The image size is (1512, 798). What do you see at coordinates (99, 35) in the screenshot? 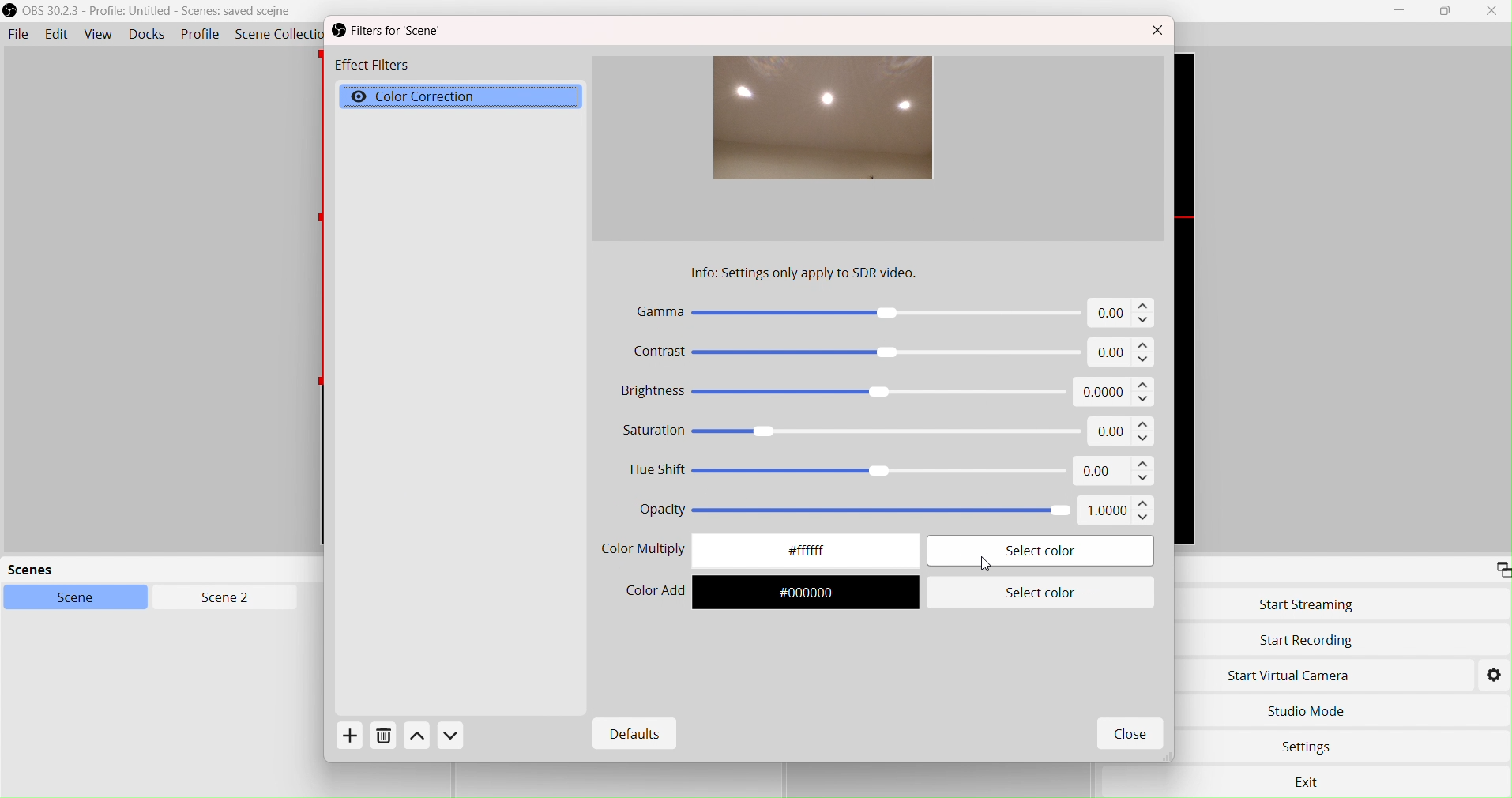
I see `View` at bounding box center [99, 35].